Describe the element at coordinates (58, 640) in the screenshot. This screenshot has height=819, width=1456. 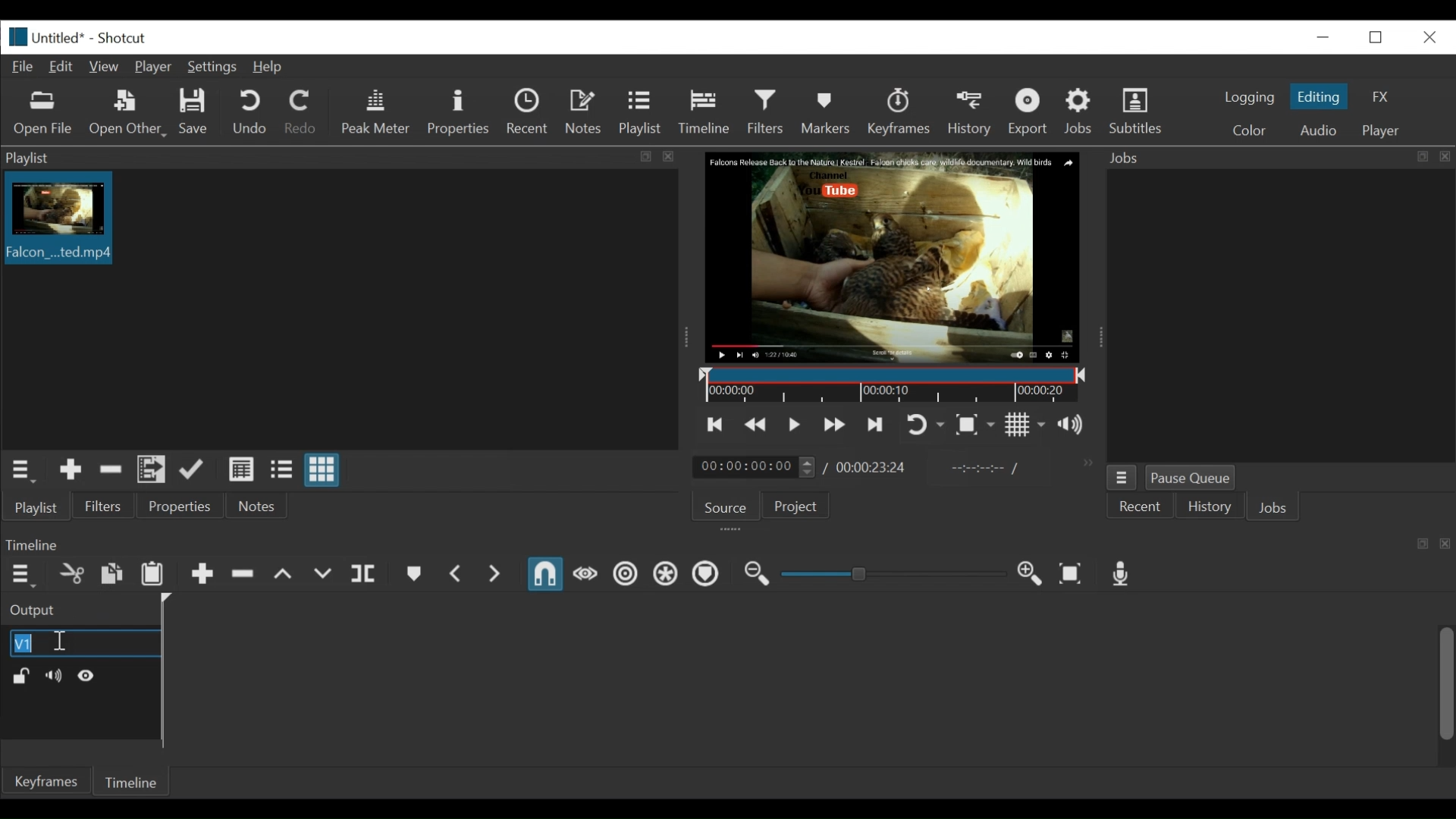
I see `Insertion cursor` at that location.